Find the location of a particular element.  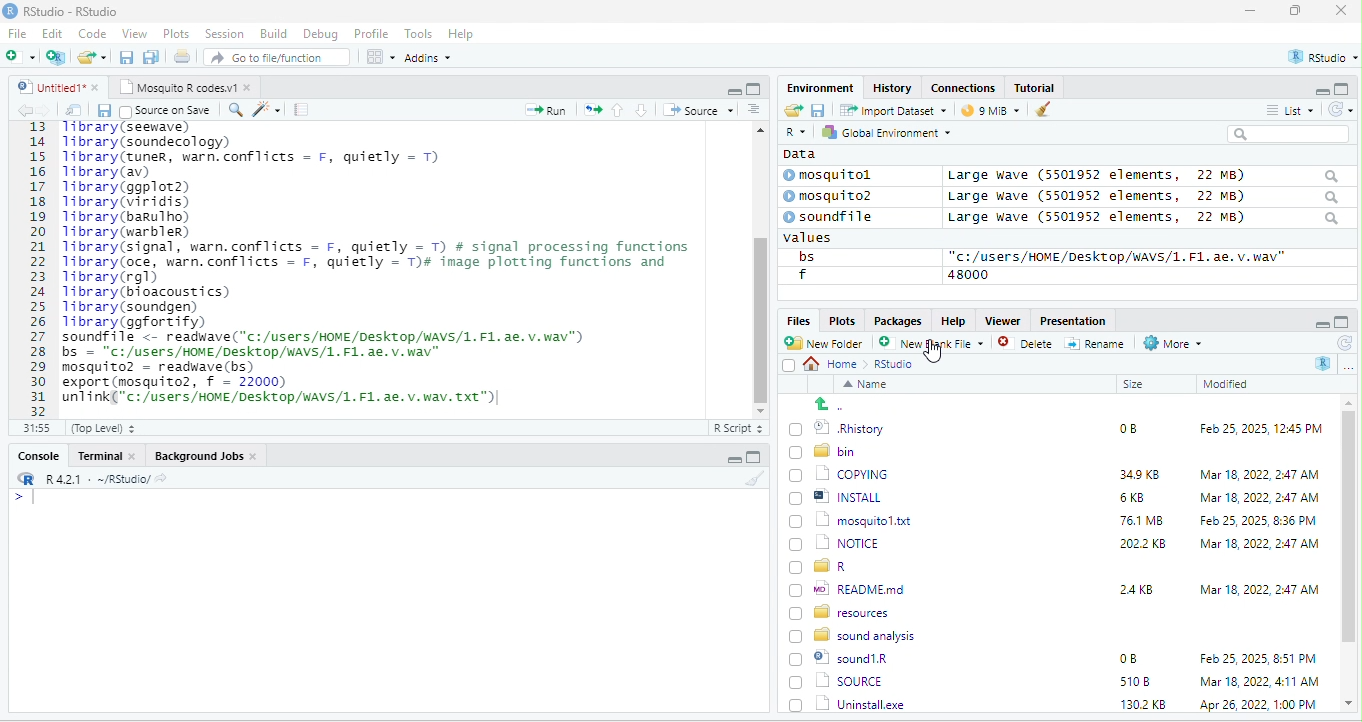

File is located at coordinates (17, 33).